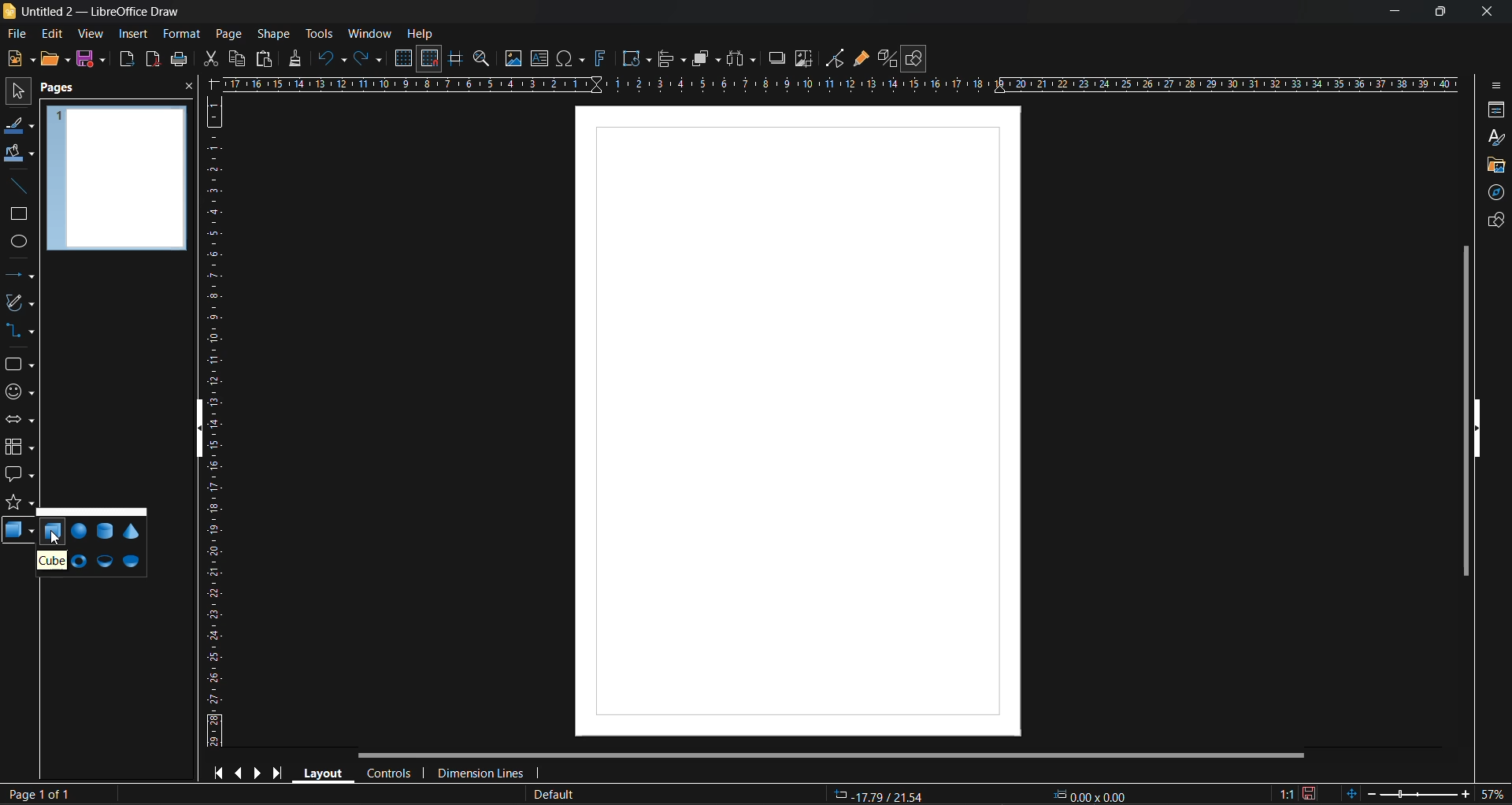 The image size is (1512, 805). I want to click on format, so click(183, 35).